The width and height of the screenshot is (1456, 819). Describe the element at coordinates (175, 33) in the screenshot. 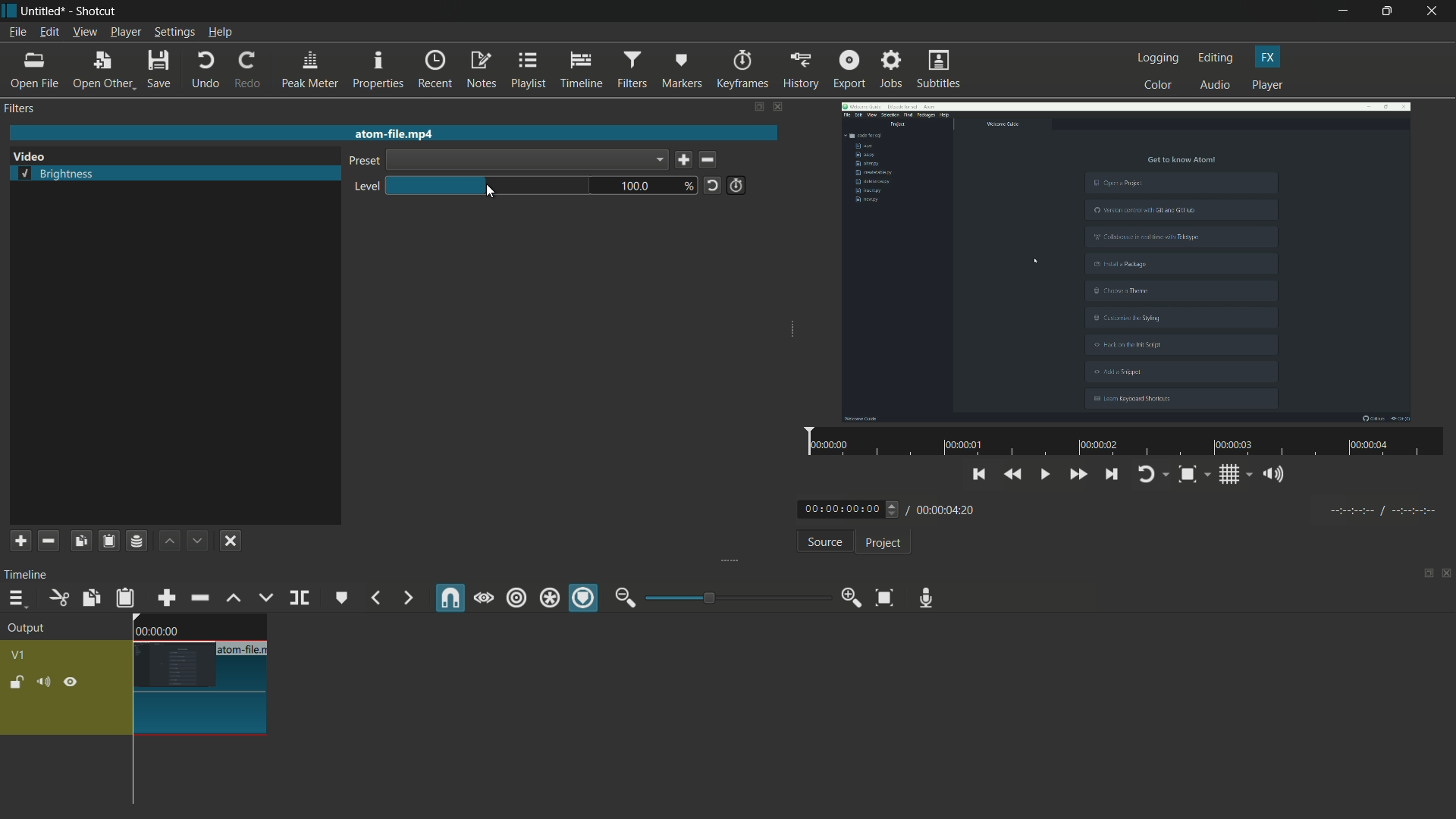

I see `settings menu` at that location.